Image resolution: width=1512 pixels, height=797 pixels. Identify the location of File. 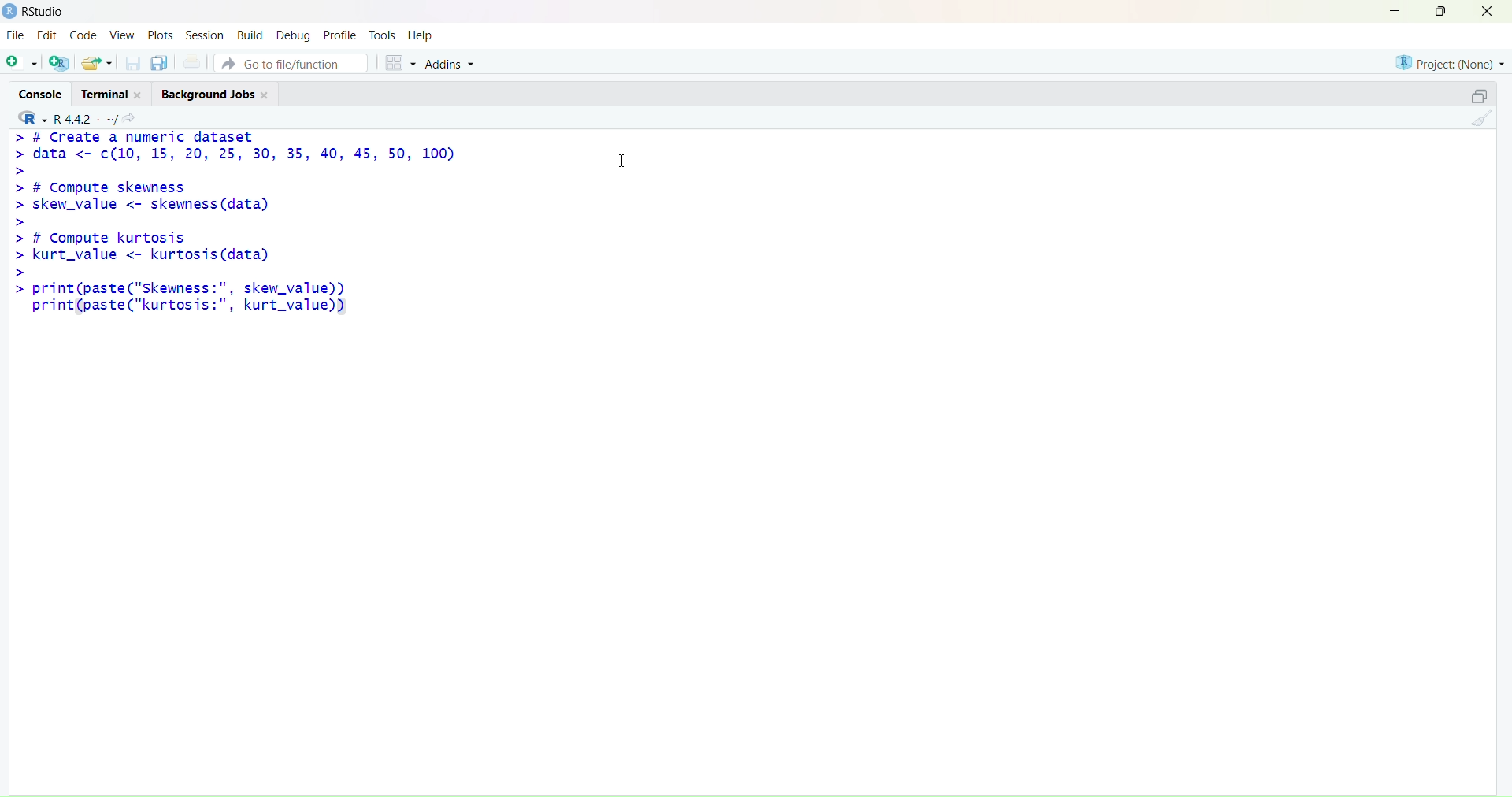
(17, 36).